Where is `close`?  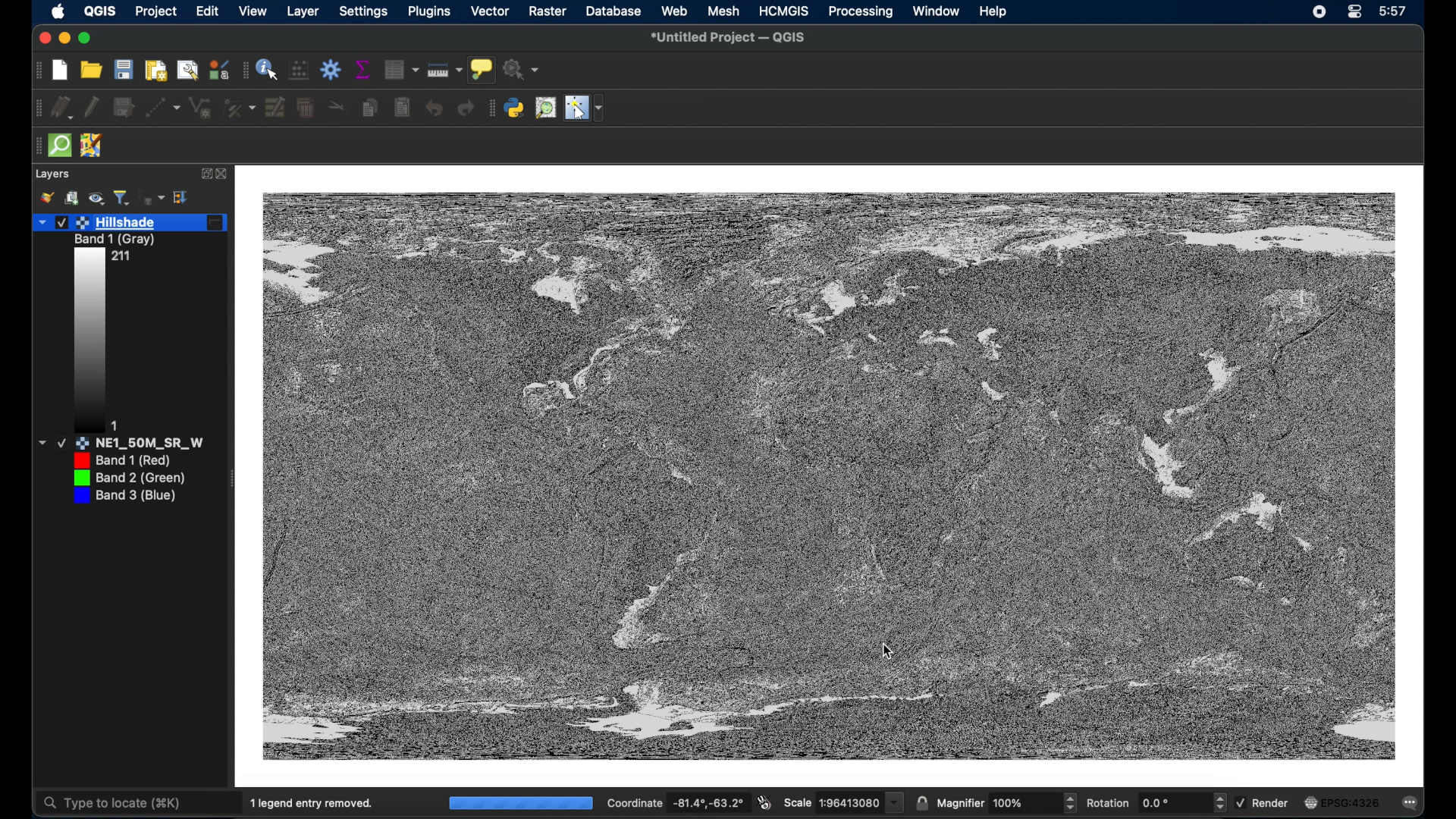
close is located at coordinates (41, 39).